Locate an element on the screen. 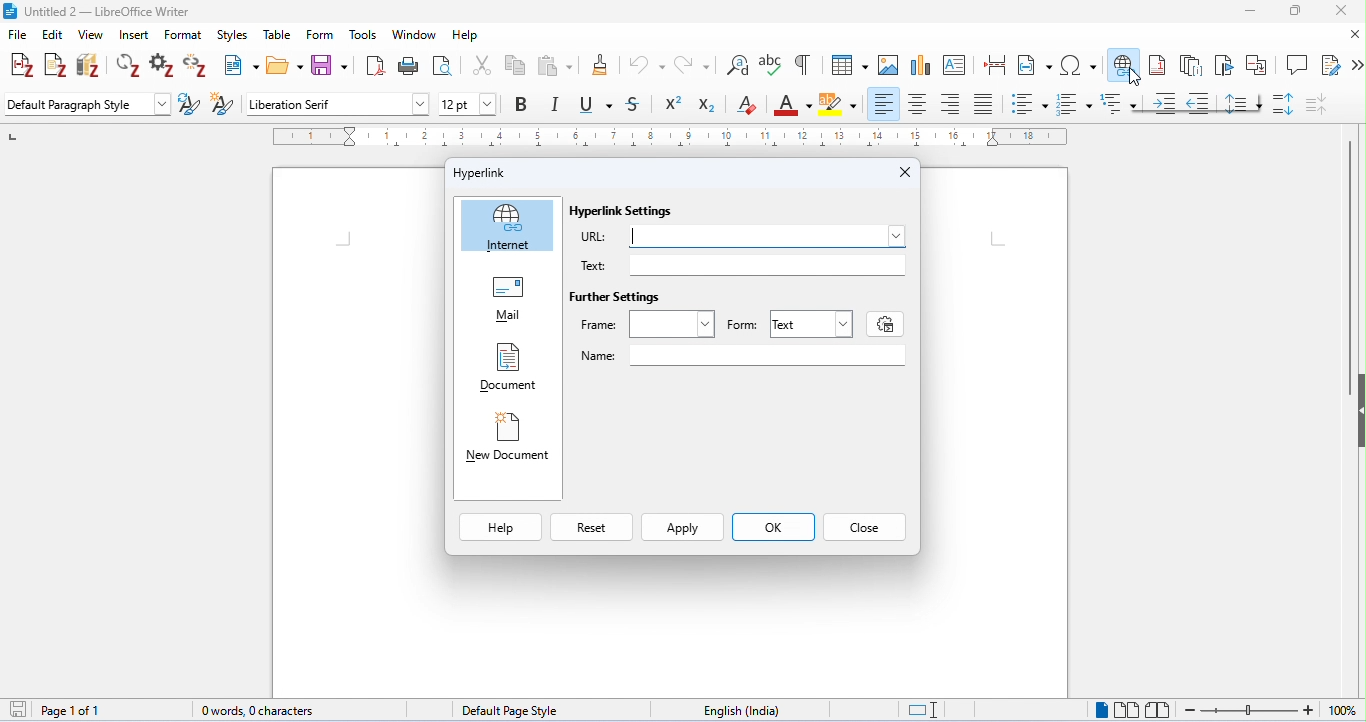 The height and width of the screenshot is (722, 1366). underline is located at coordinates (596, 105).